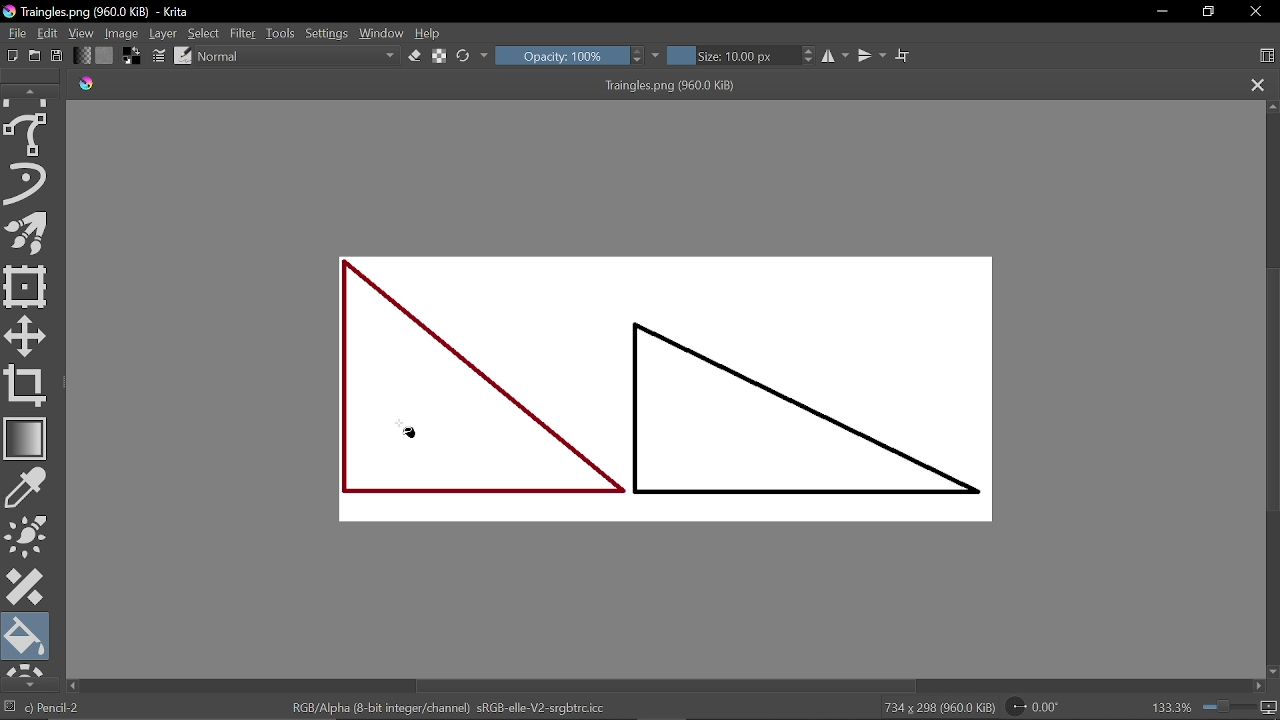  What do you see at coordinates (10, 707) in the screenshot?
I see `No selection` at bounding box center [10, 707].